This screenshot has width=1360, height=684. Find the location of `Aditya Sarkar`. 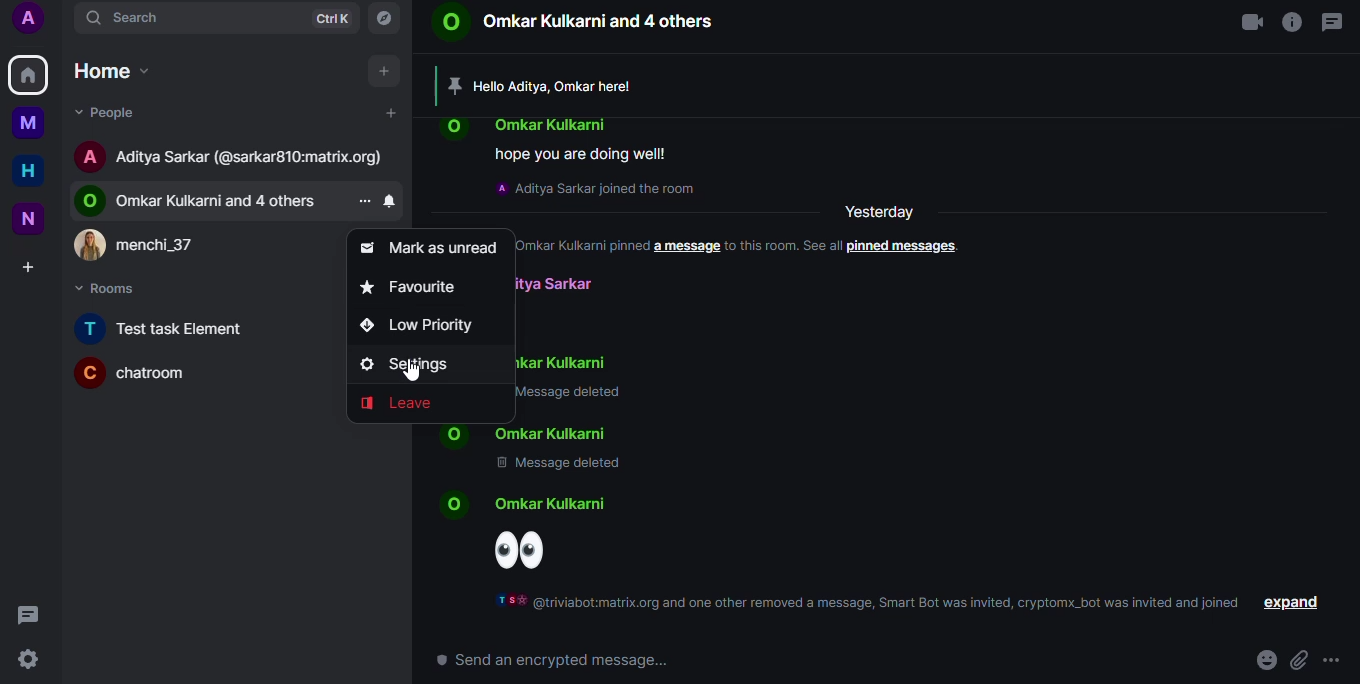

Aditya Sarkar is located at coordinates (553, 282).